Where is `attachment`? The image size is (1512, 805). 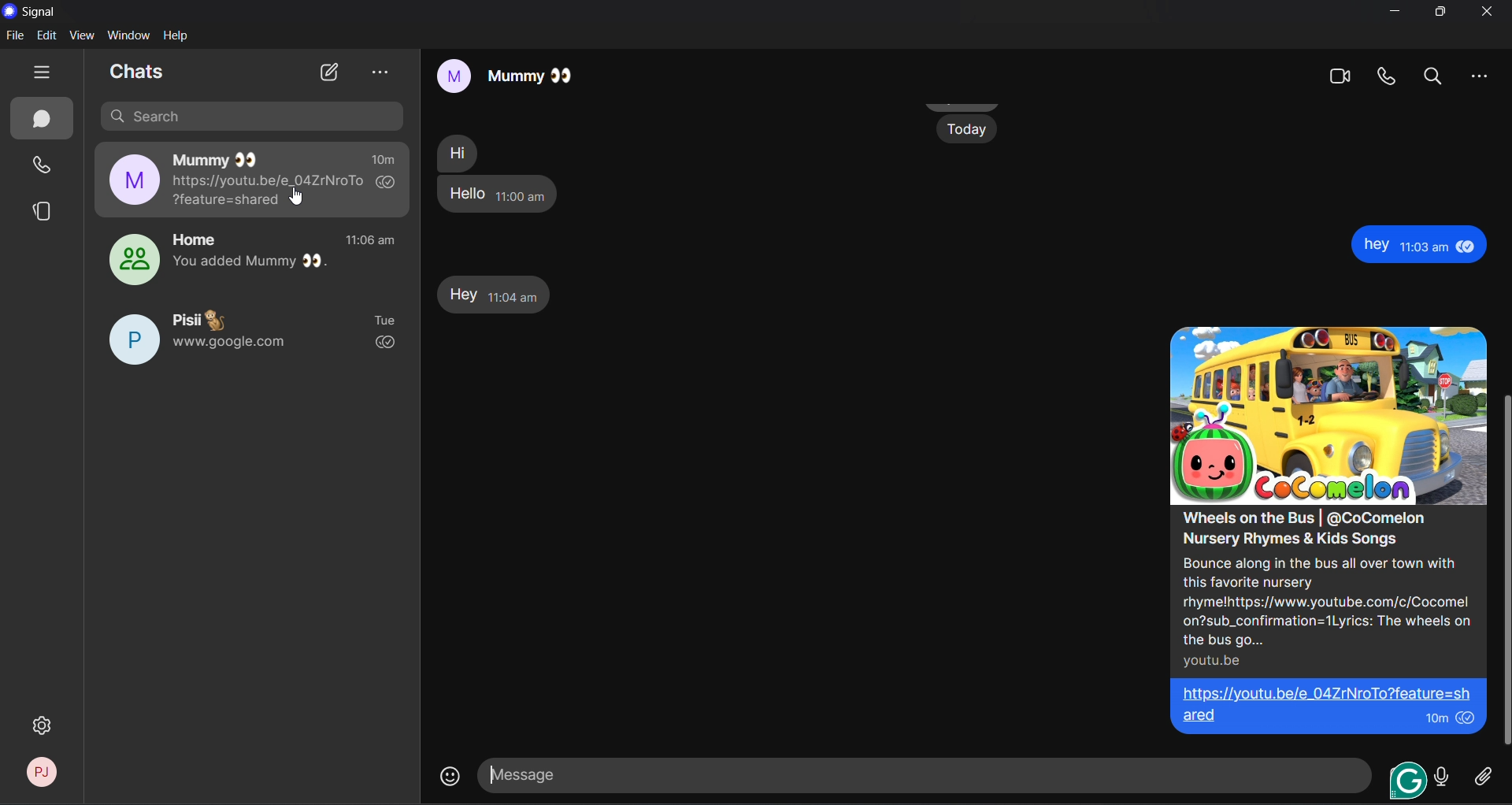
attachment is located at coordinates (1484, 779).